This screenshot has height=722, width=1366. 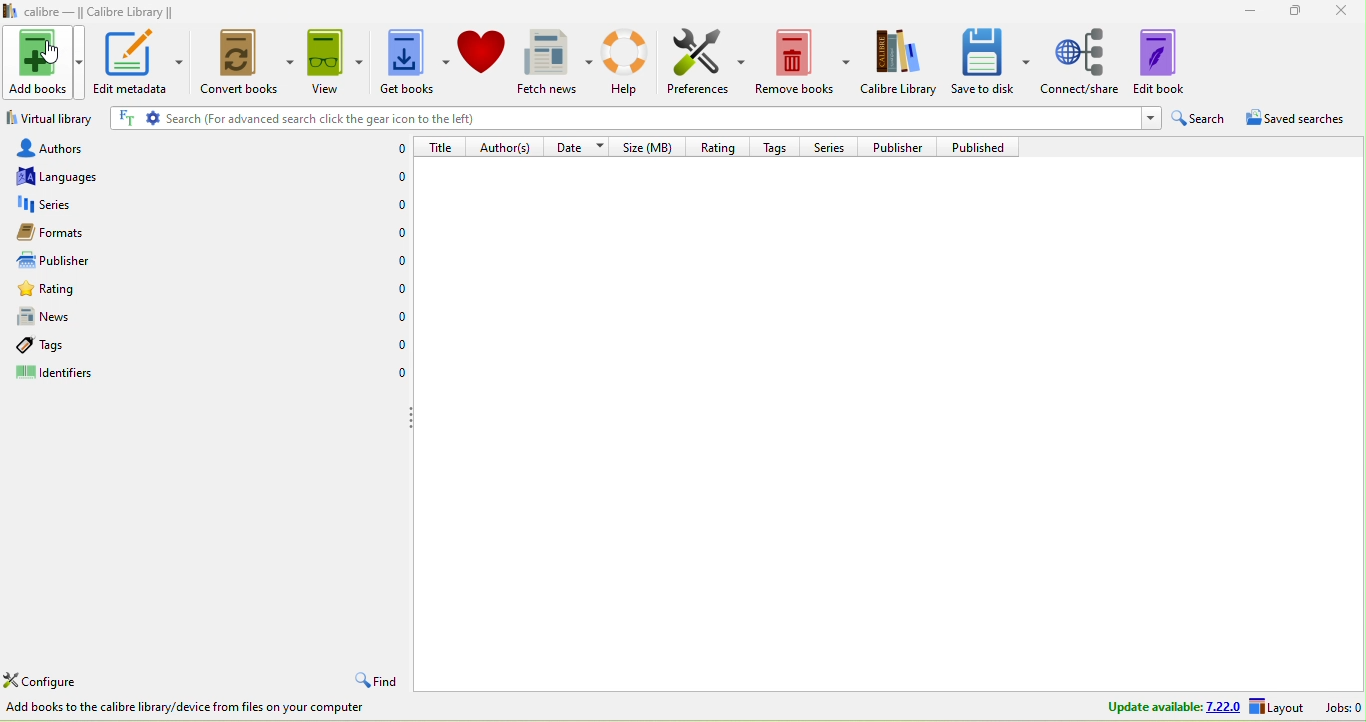 I want to click on find, so click(x=380, y=680).